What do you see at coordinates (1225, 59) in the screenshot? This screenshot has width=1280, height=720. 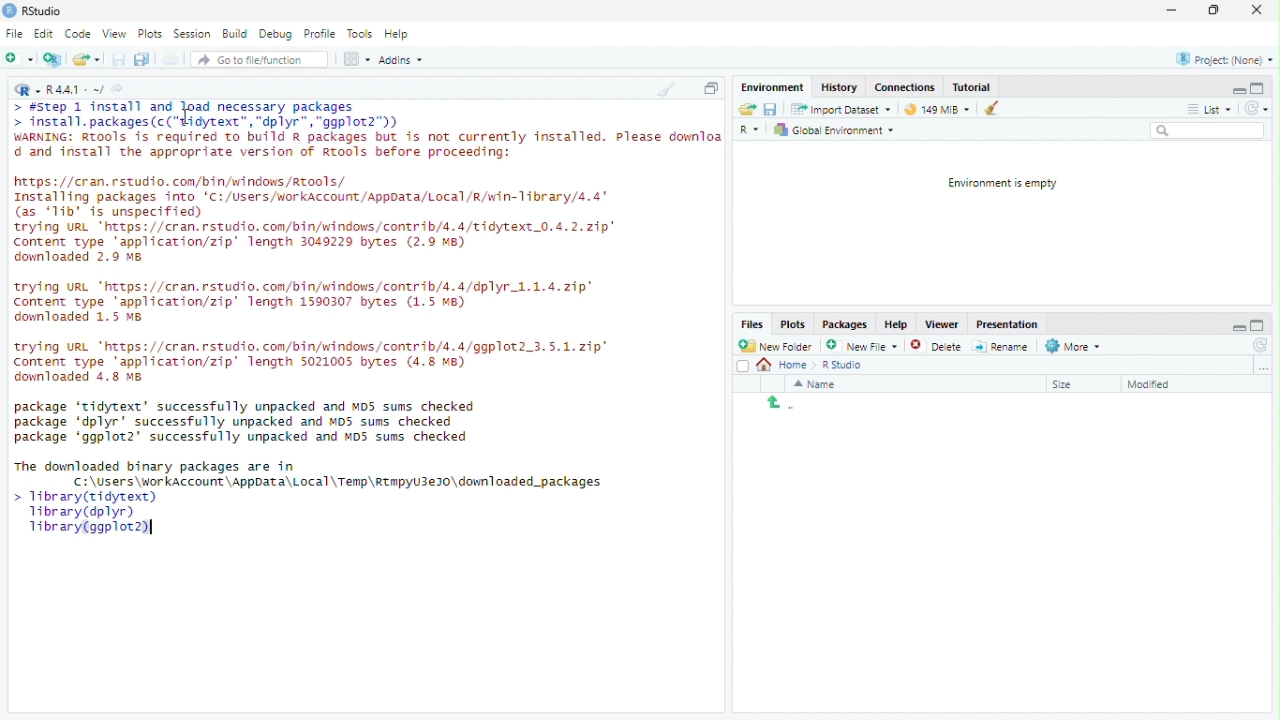 I see `Project: (None)` at bounding box center [1225, 59].